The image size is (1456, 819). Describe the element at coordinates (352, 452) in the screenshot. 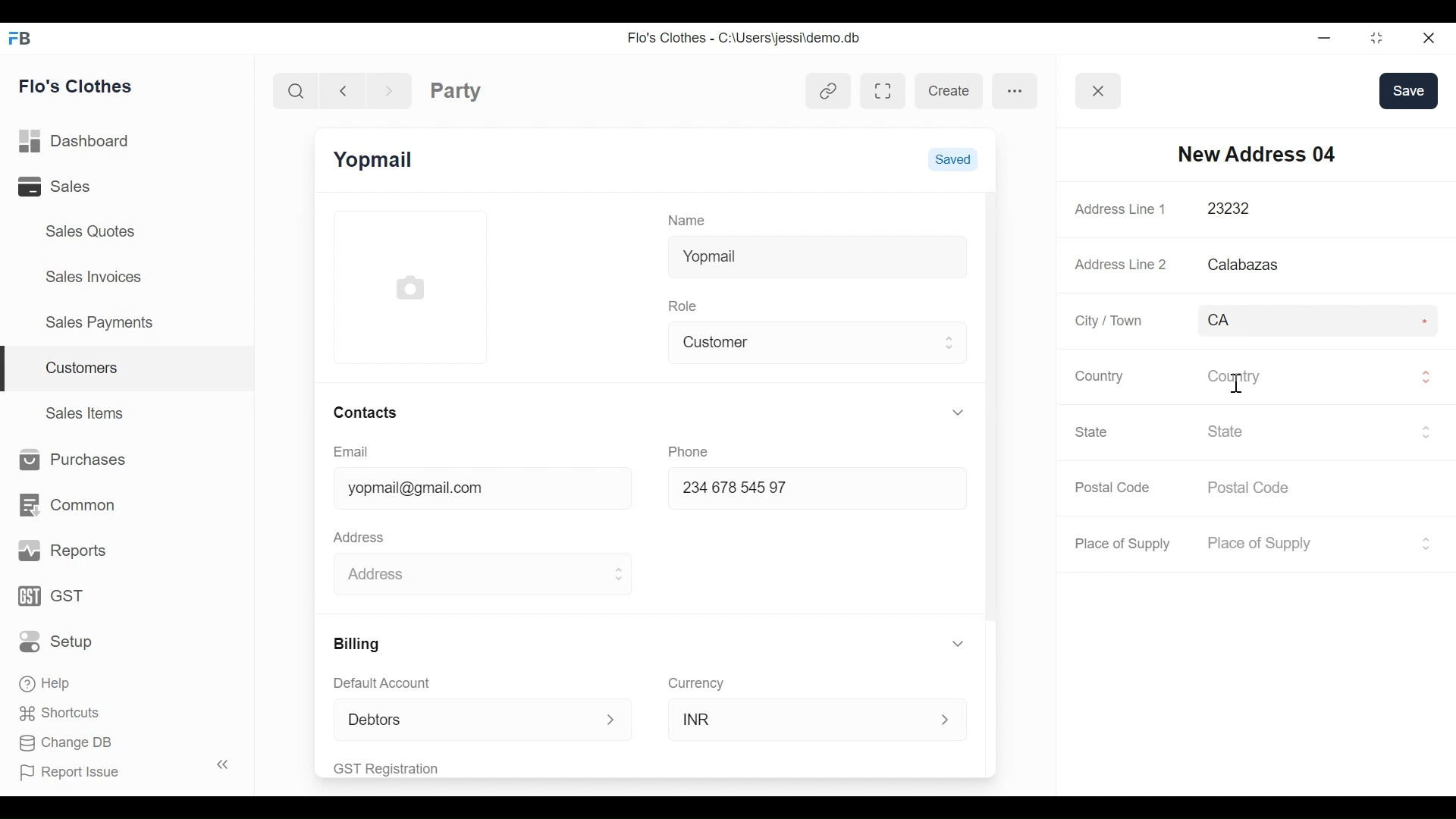

I see `Email` at that location.